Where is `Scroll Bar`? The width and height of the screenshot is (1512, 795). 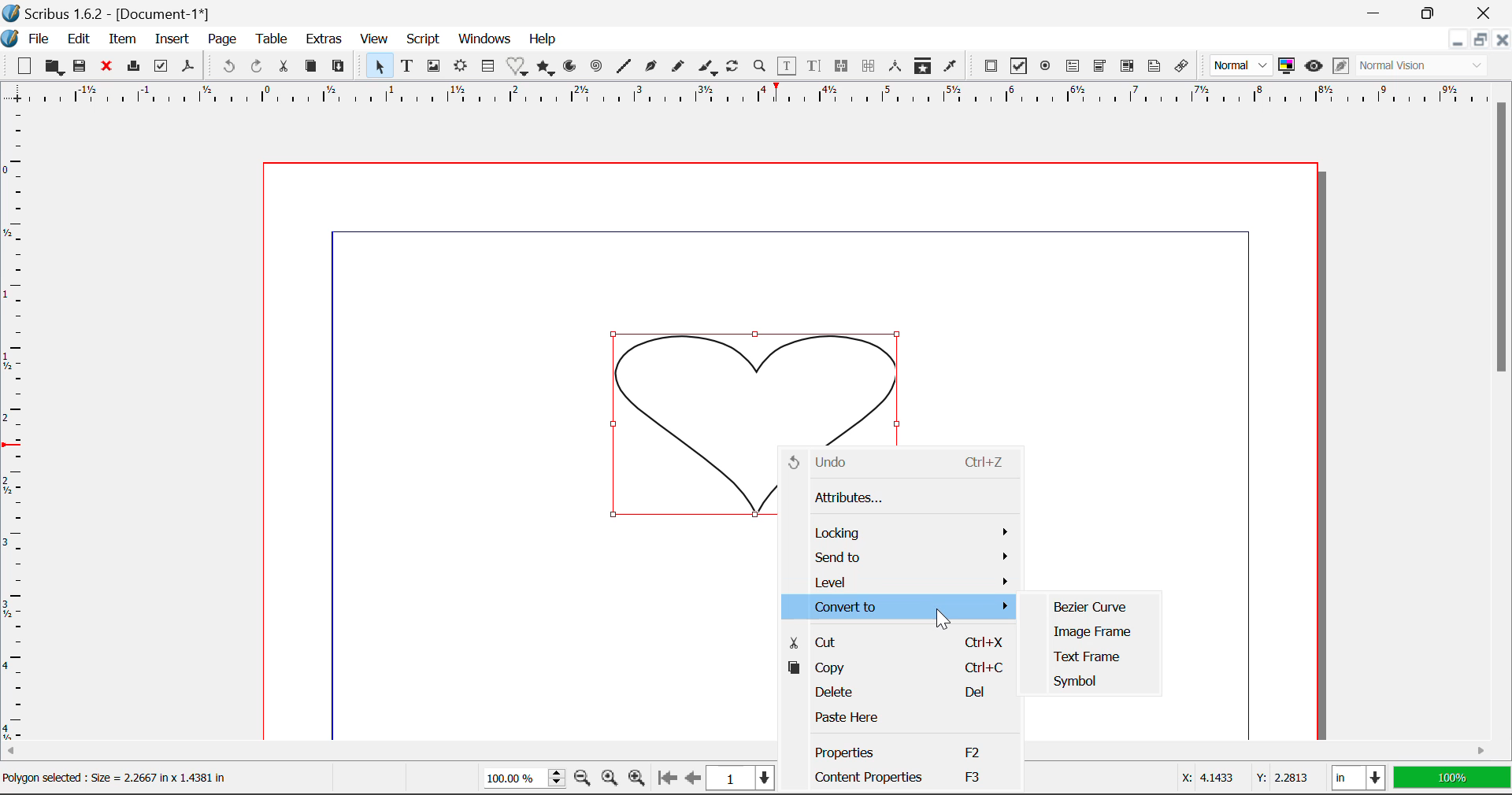 Scroll Bar is located at coordinates (1503, 407).